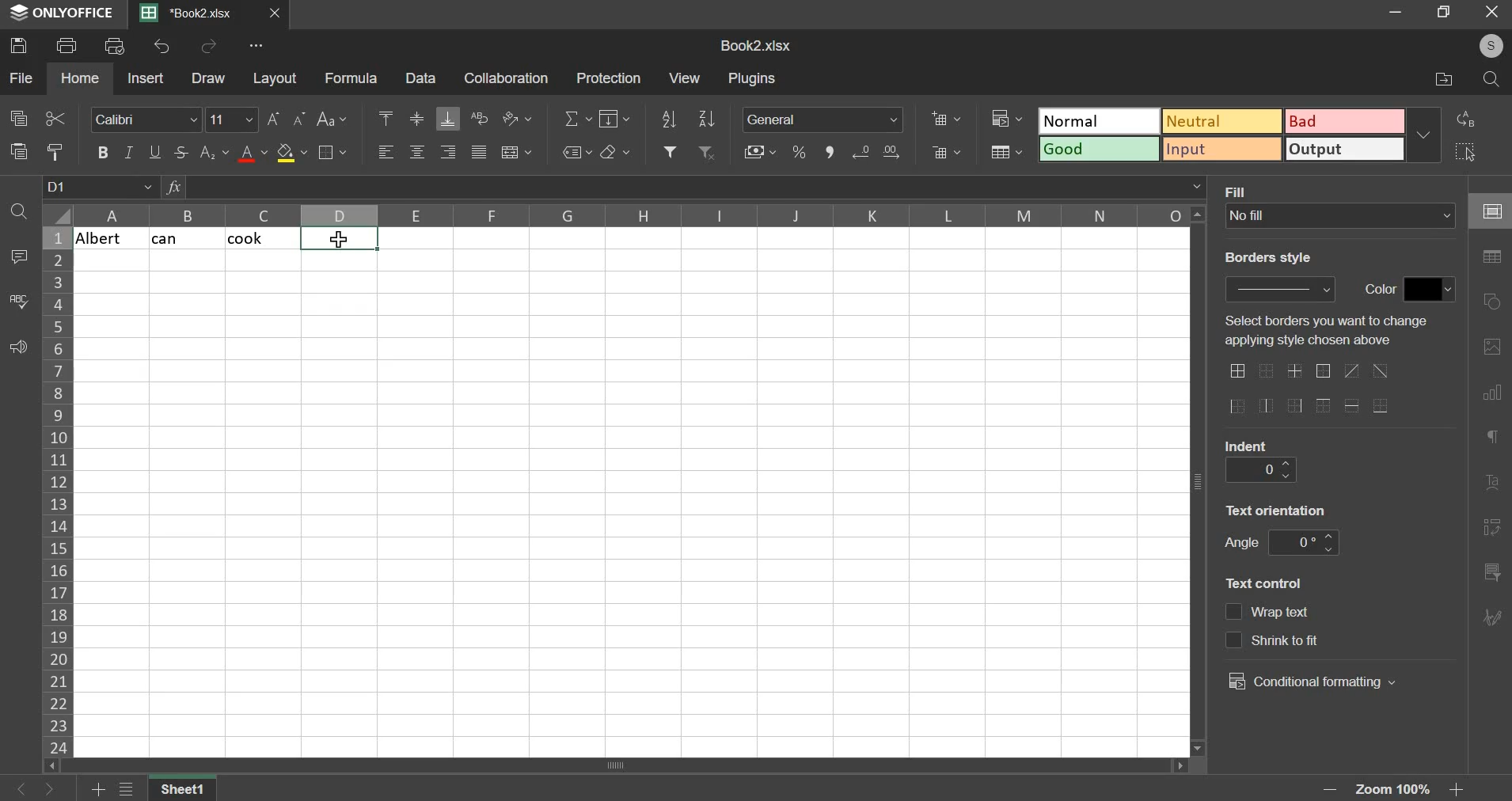 This screenshot has width=1512, height=801. Describe the element at coordinates (291, 154) in the screenshot. I see `fill color` at that location.